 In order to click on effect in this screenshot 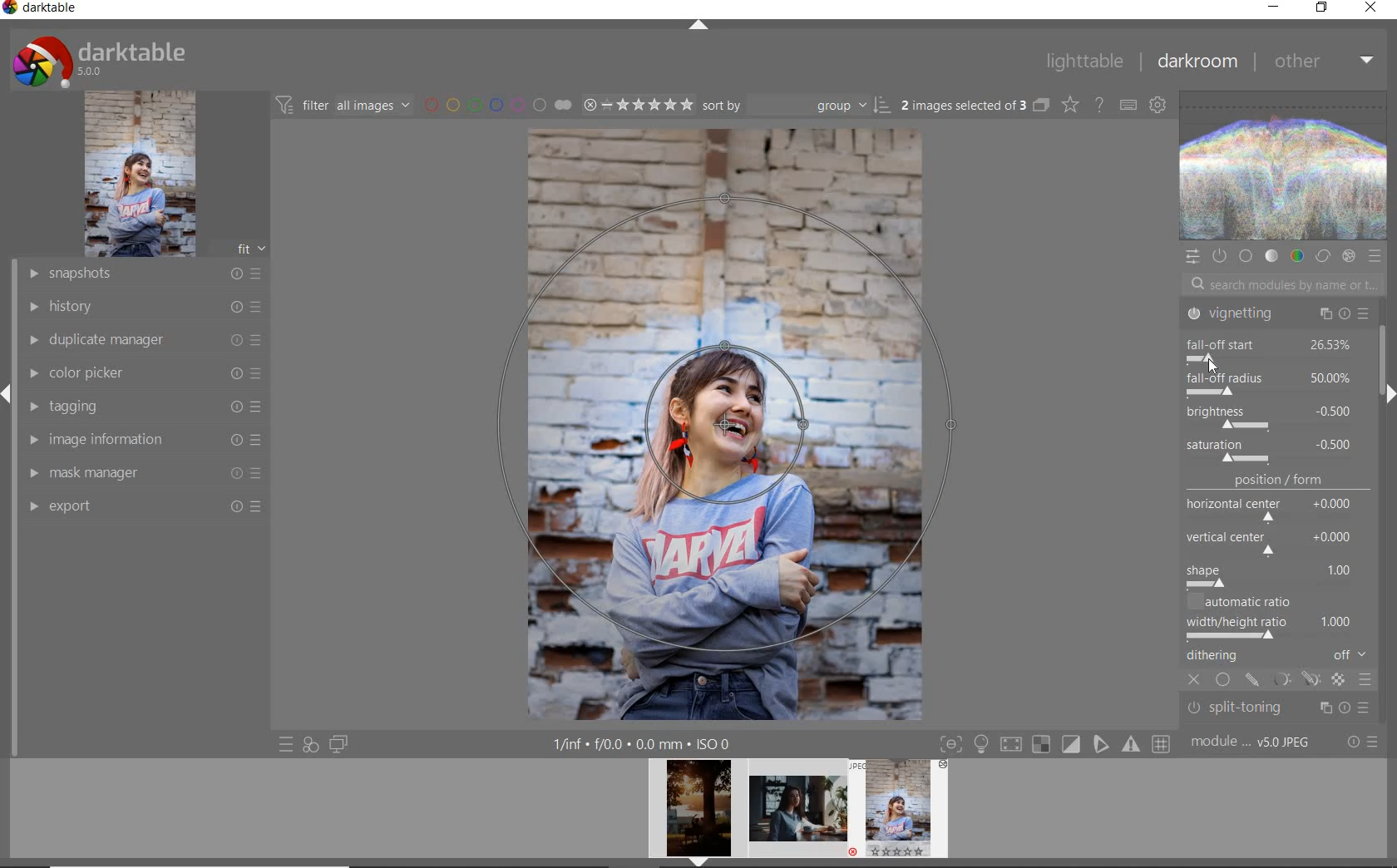, I will do `click(1348, 256)`.